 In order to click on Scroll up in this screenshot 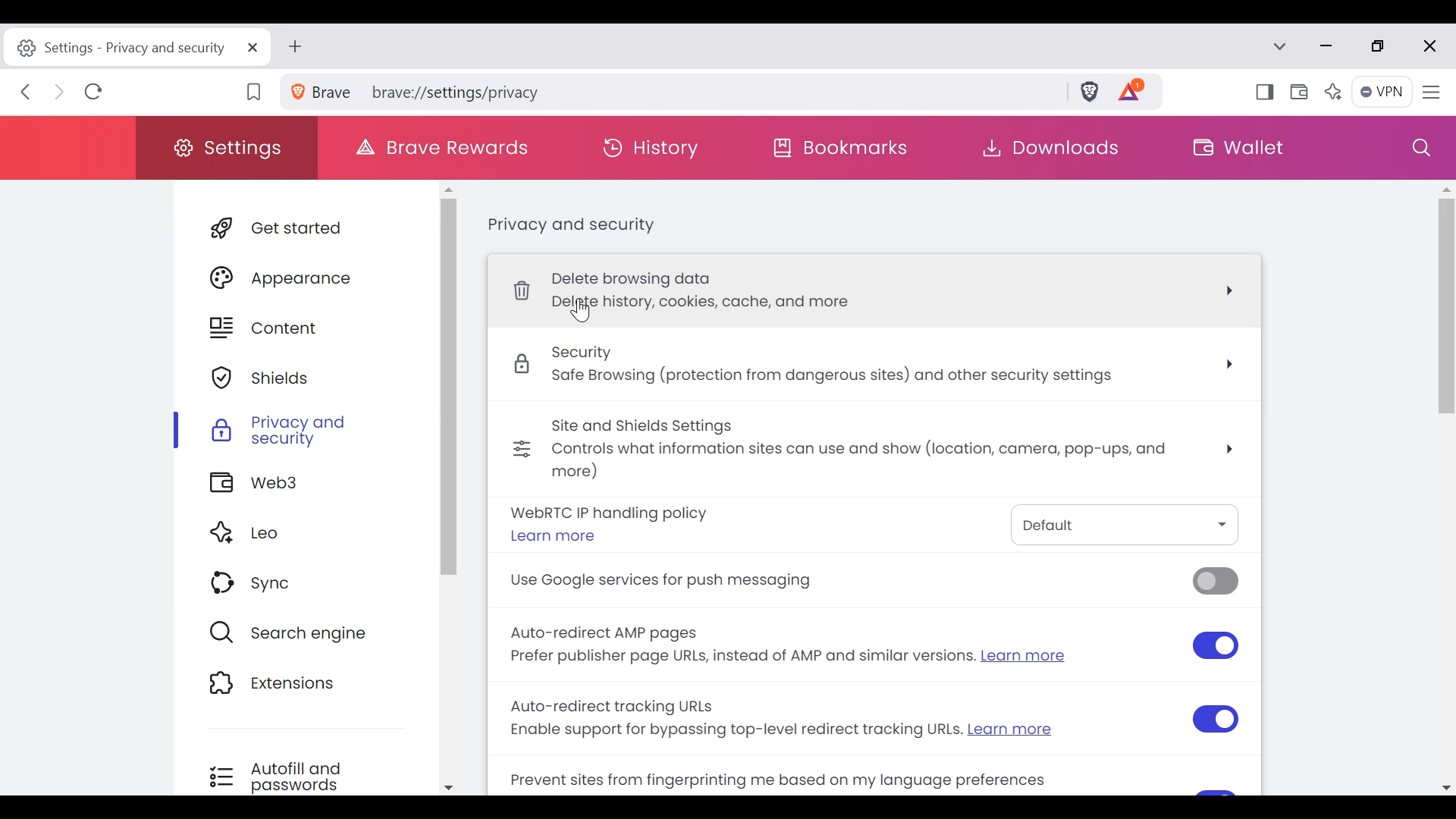, I will do `click(448, 187)`.